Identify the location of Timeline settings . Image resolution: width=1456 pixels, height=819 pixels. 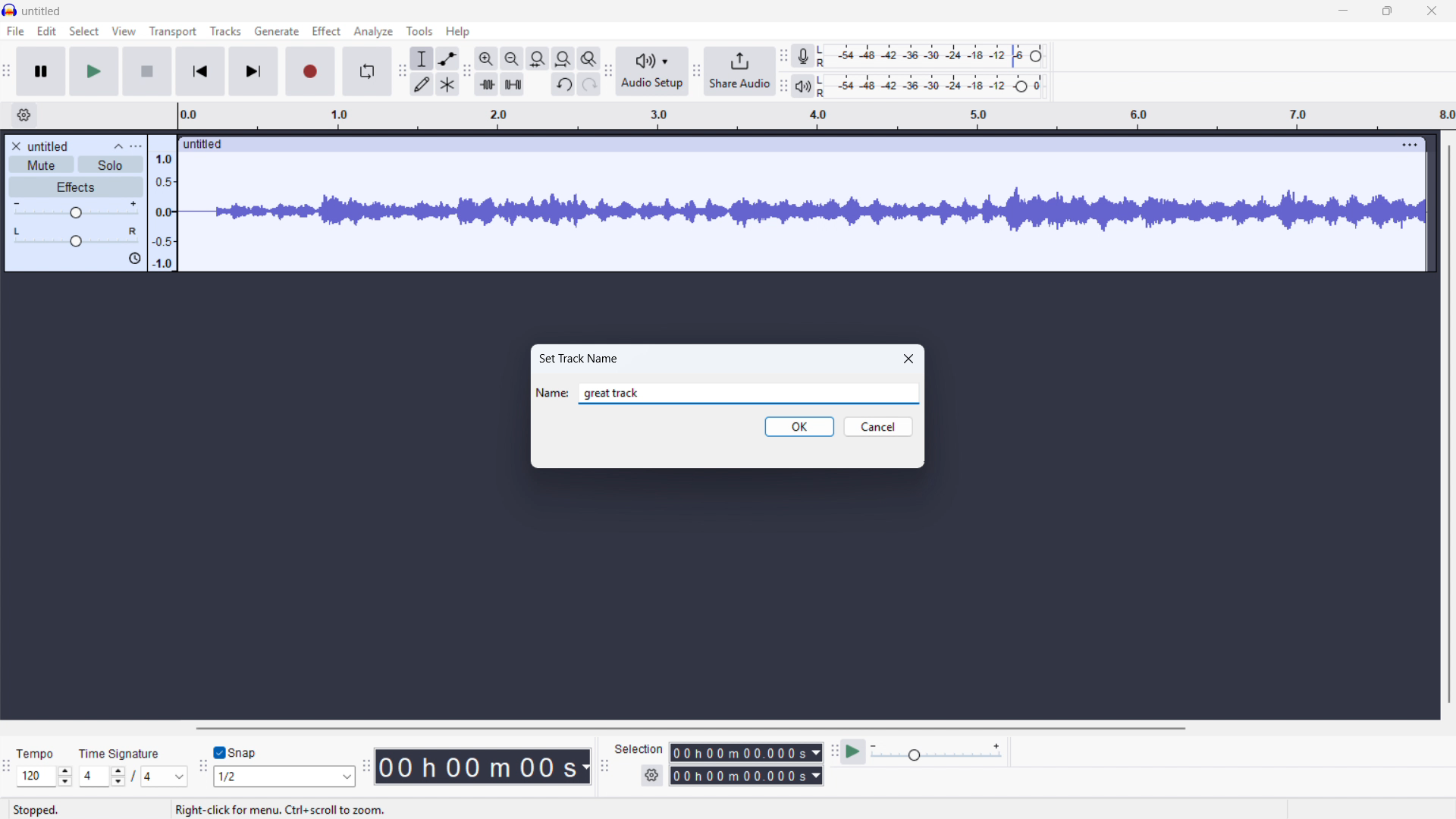
(24, 116).